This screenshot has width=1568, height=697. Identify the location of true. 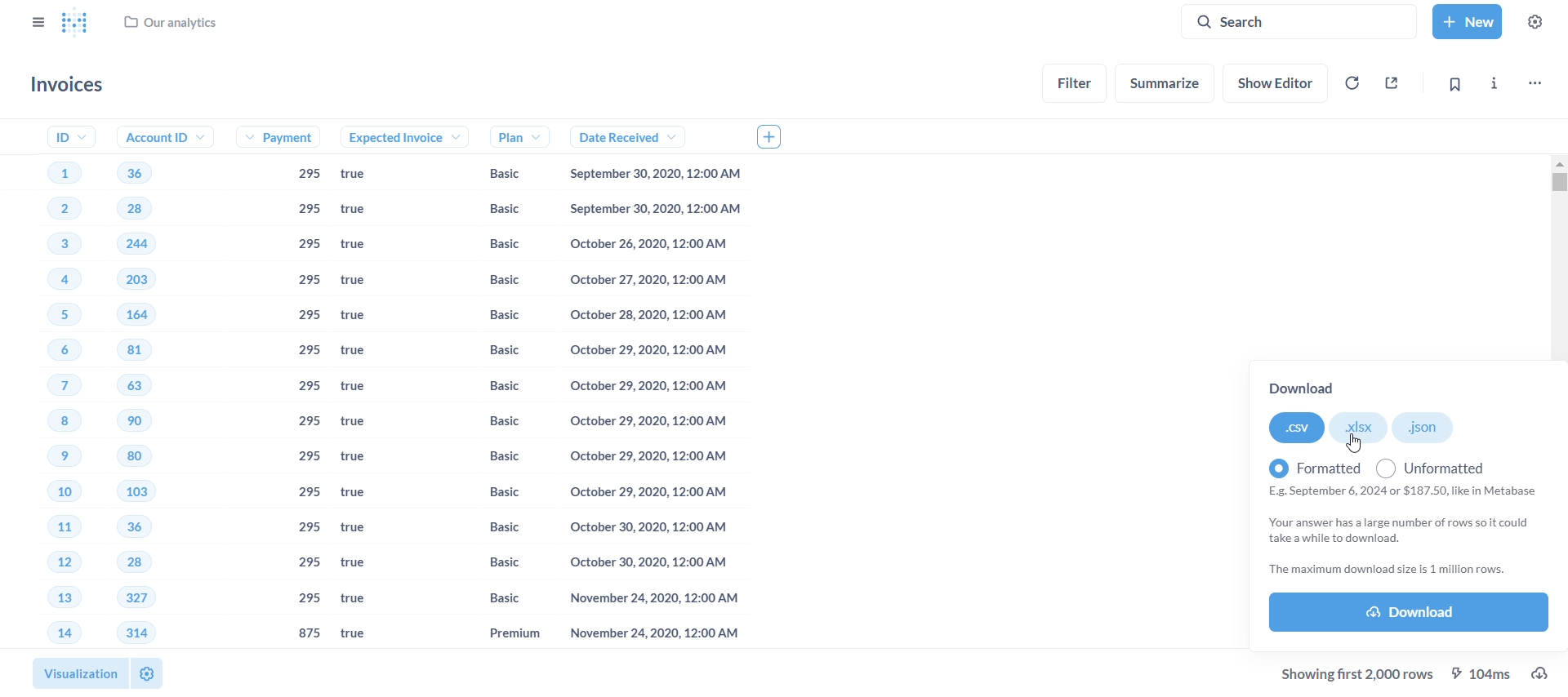
(361, 245).